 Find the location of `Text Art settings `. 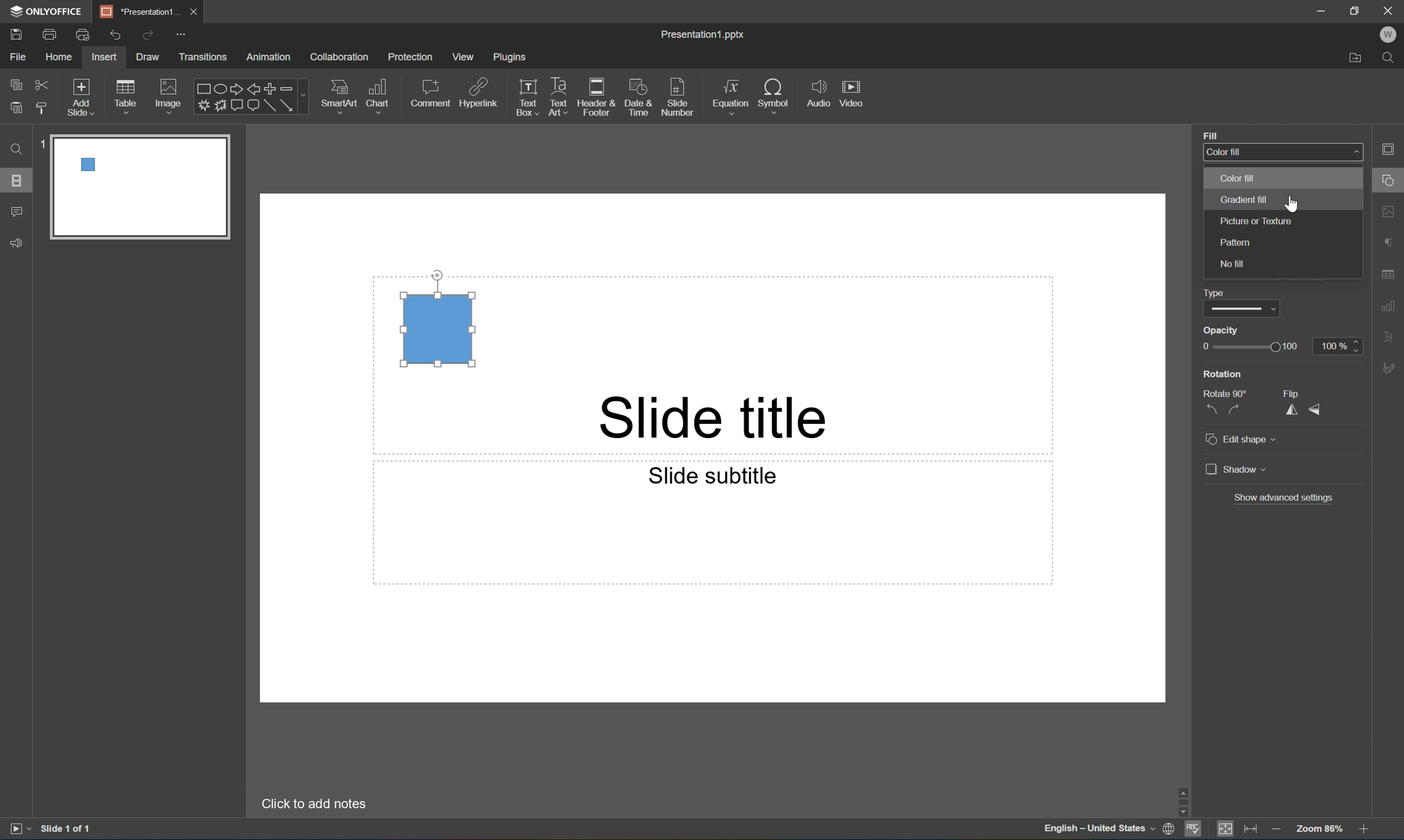

Text Art settings  is located at coordinates (1392, 335).